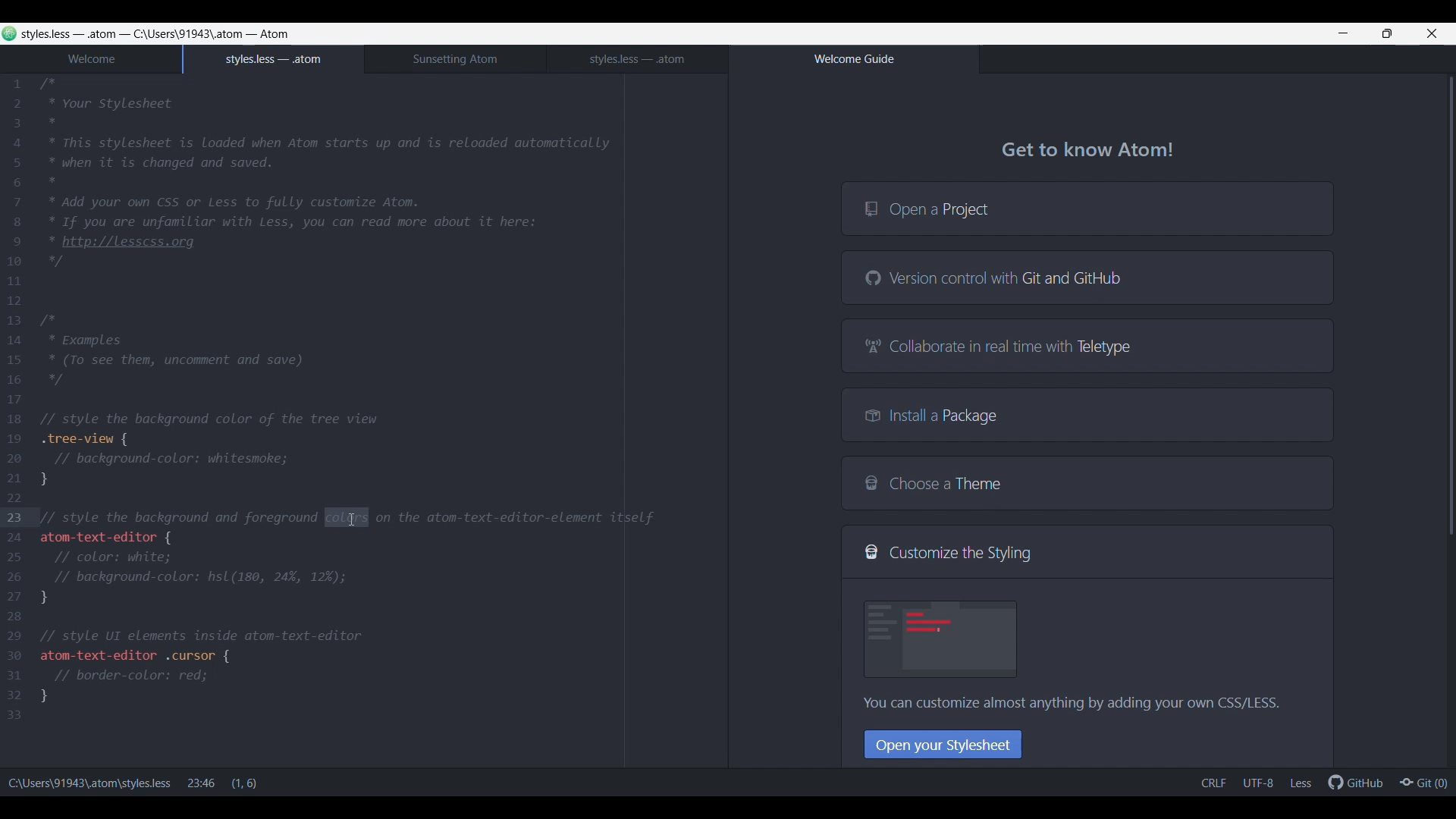  I want to click on Choose a Theme, so click(1087, 483).